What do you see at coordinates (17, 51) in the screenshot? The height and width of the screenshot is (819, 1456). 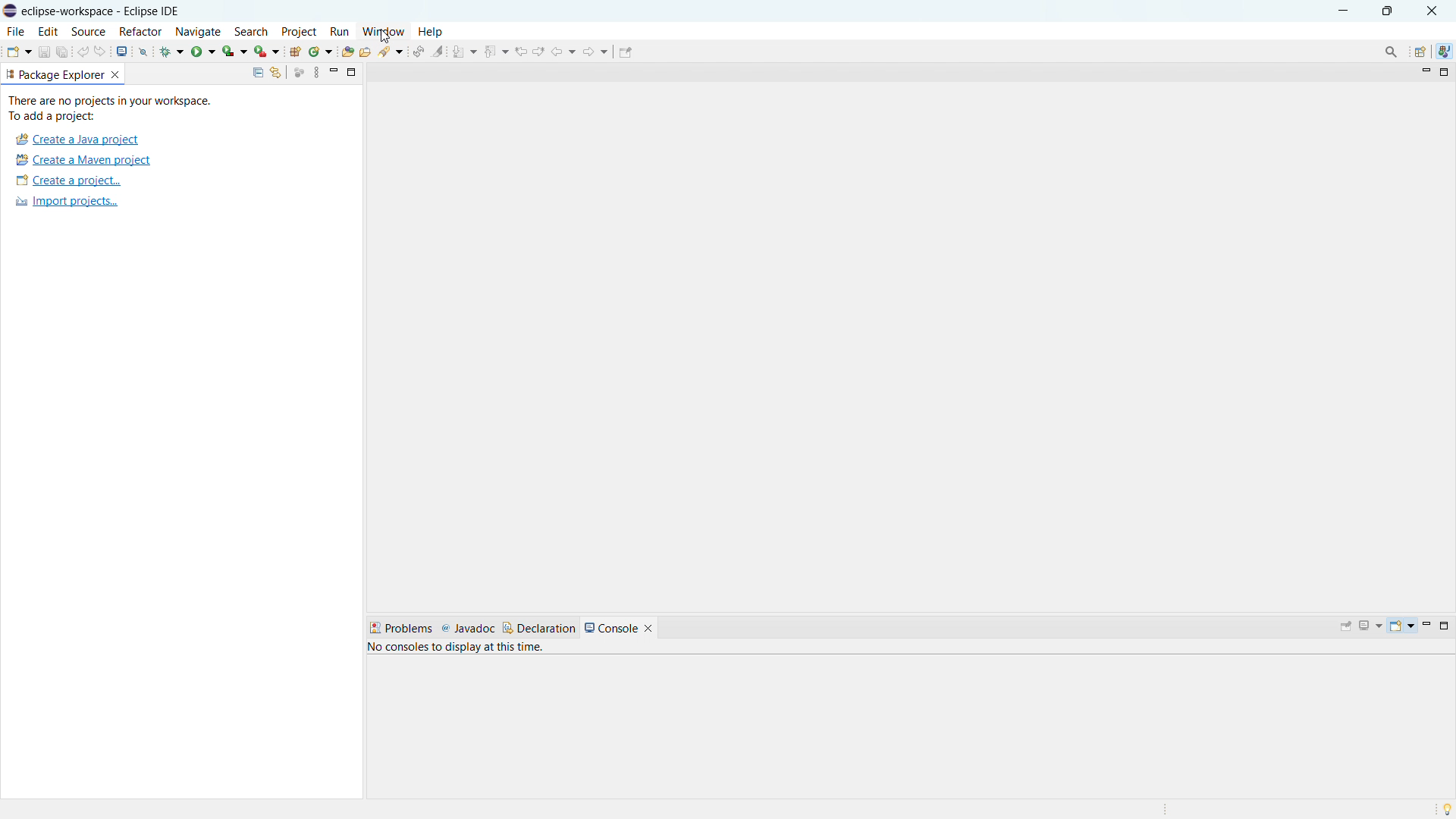 I see `new` at bounding box center [17, 51].